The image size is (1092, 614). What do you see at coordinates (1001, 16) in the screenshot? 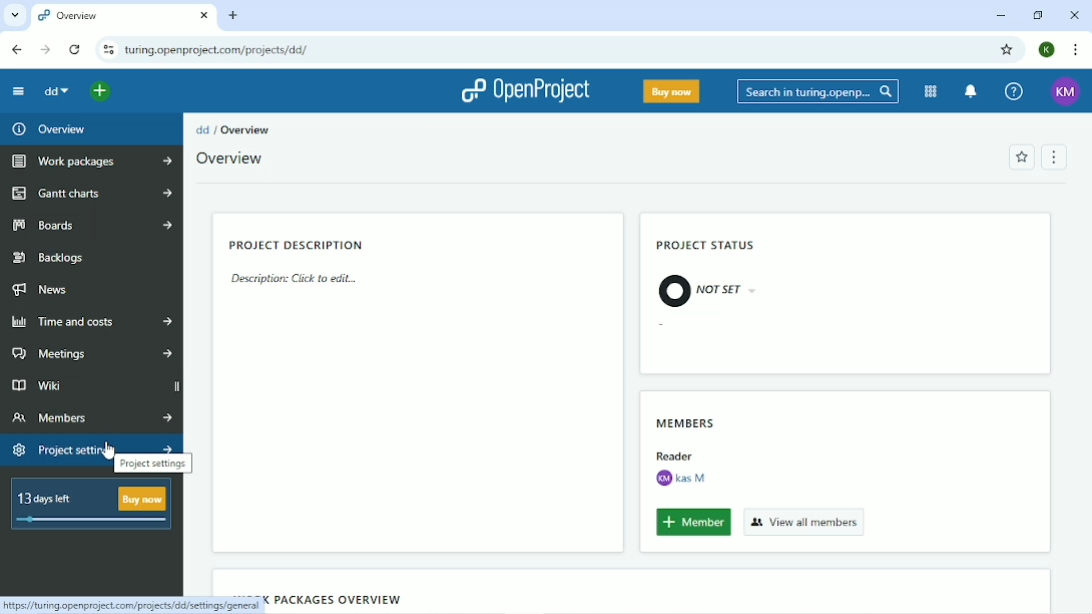
I see `Minimize` at bounding box center [1001, 16].